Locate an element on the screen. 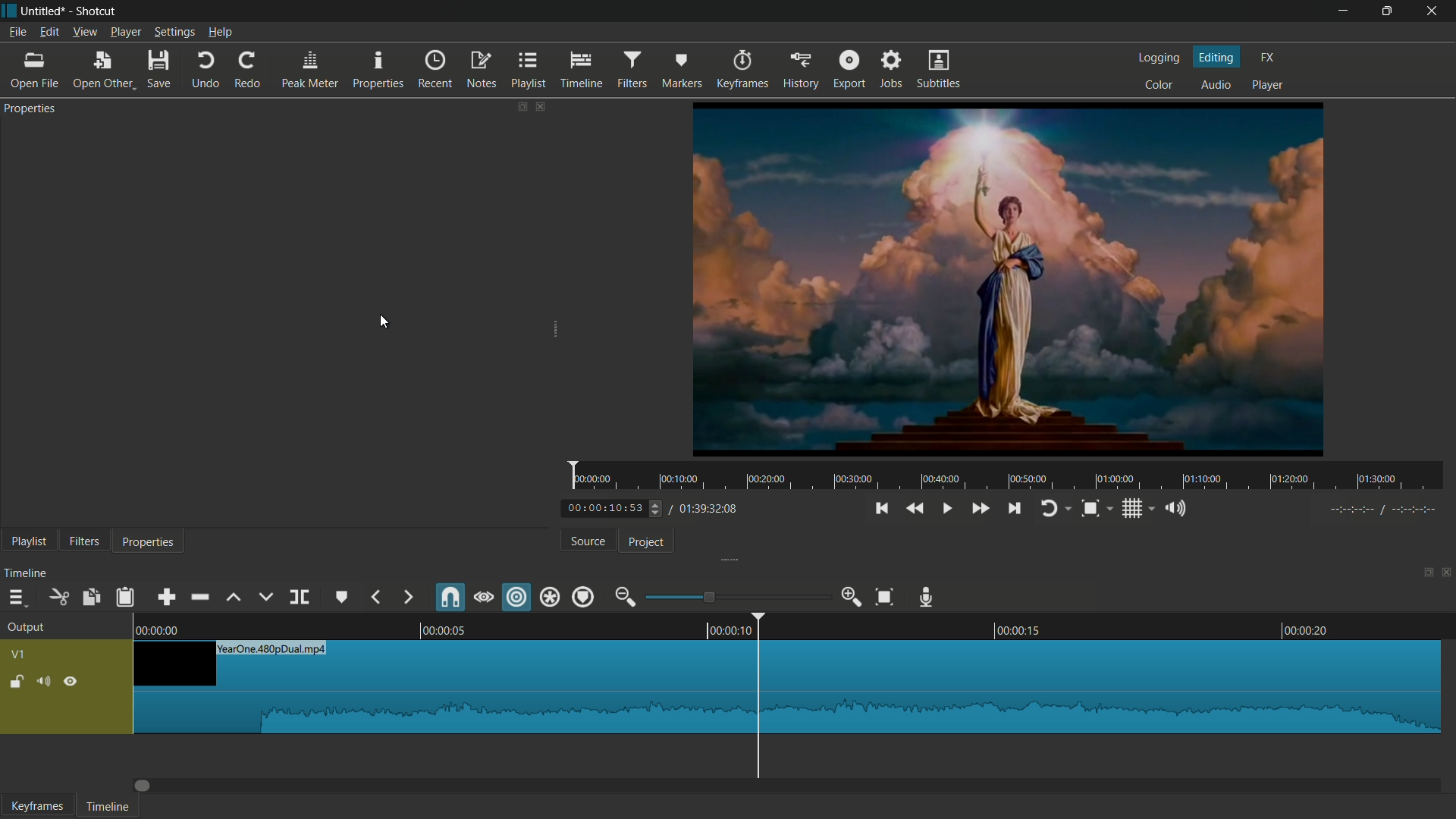  toggle grid is located at coordinates (1139, 508).